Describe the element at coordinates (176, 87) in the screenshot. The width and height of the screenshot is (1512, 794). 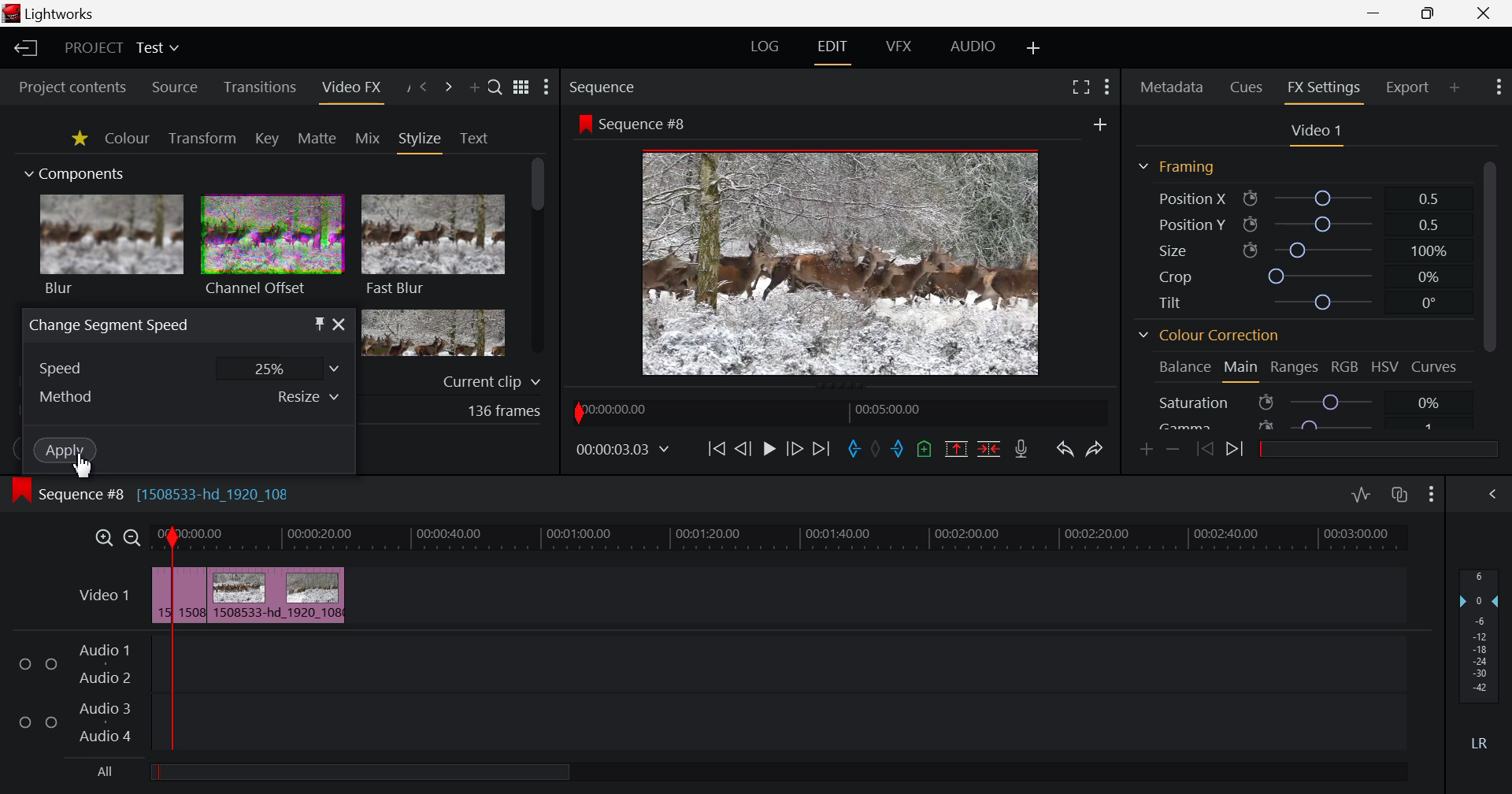
I see `Source` at that location.